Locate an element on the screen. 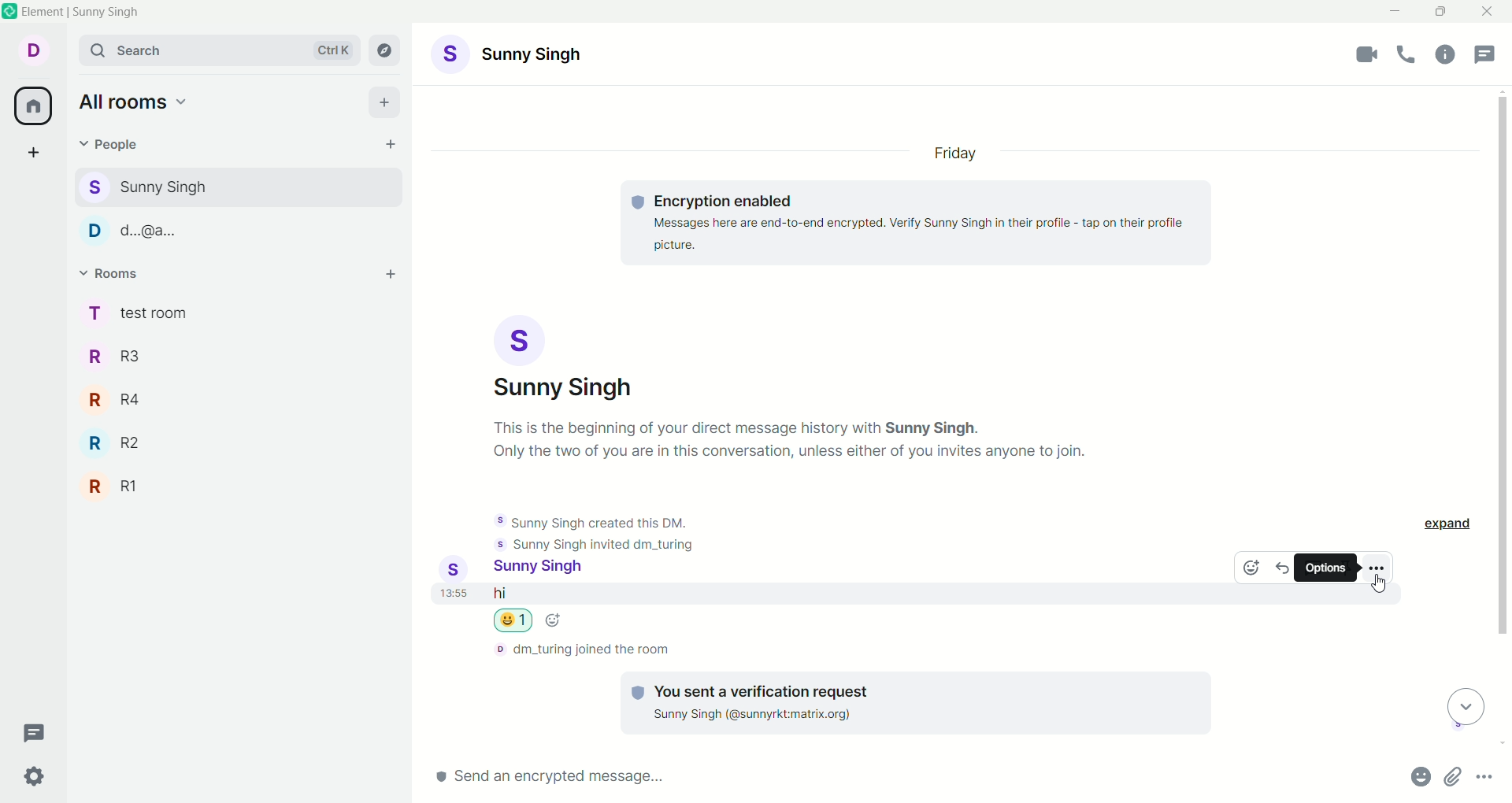 This screenshot has height=803, width=1512. maximize is located at coordinates (1438, 12).